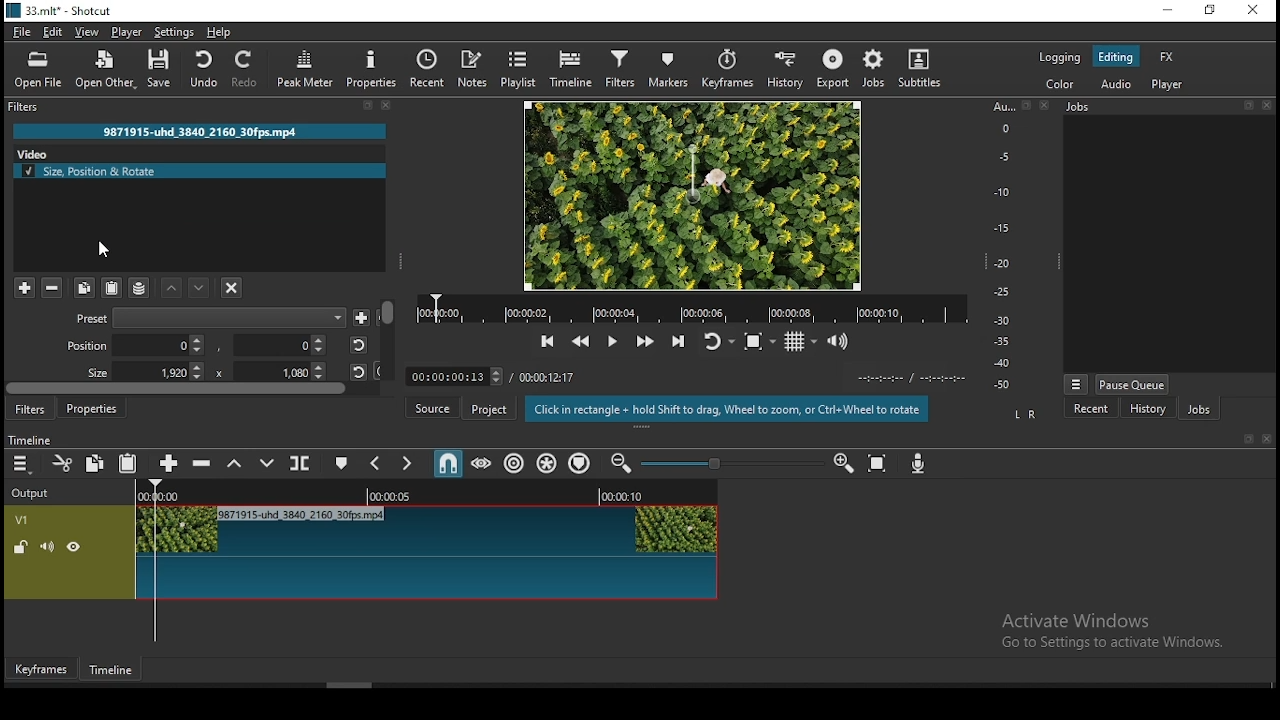 The image size is (1280, 720). Describe the element at coordinates (481, 462) in the screenshot. I see `scrub while dragging` at that location.